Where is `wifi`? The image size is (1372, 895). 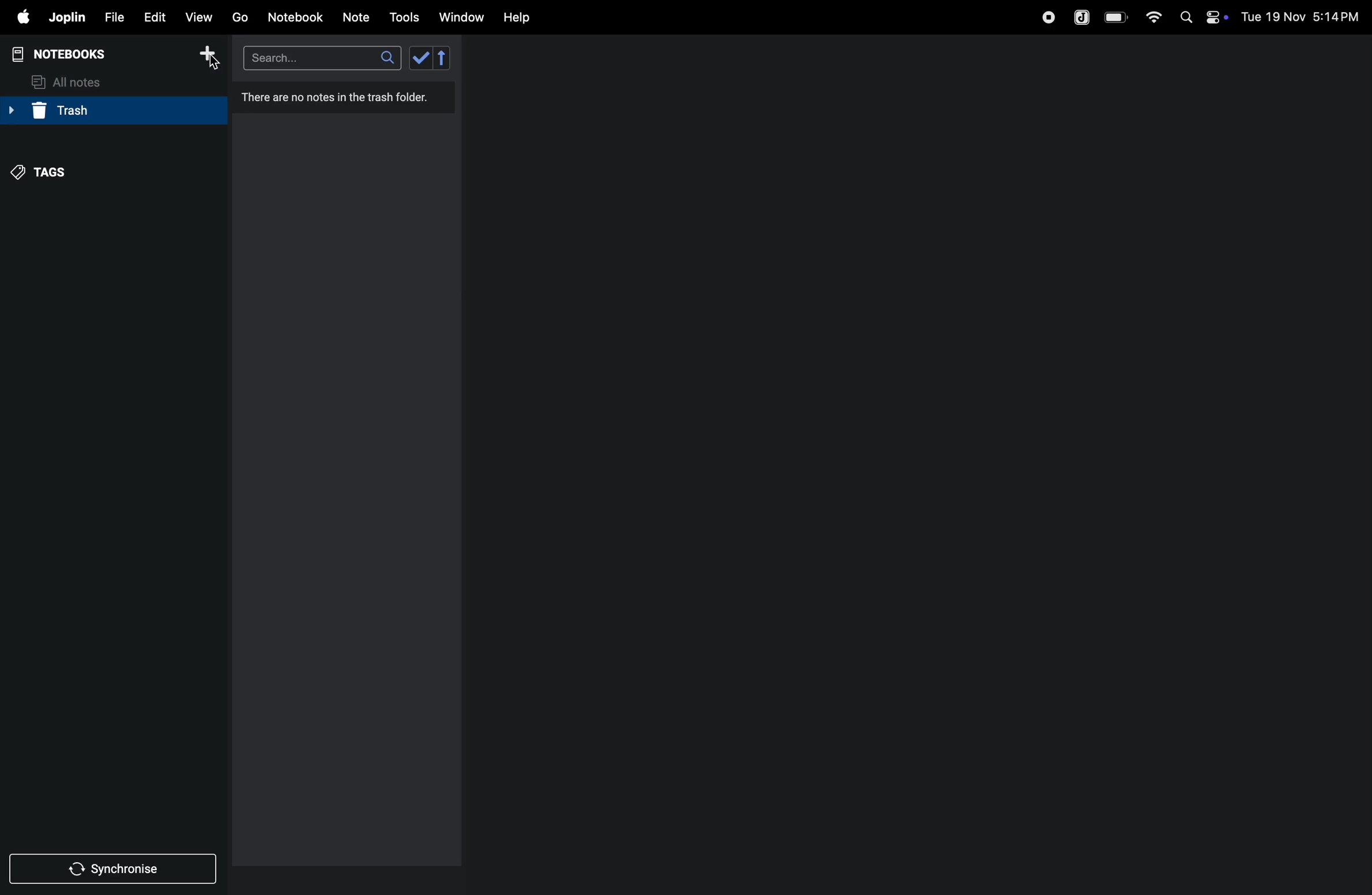 wifi is located at coordinates (1150, 17).